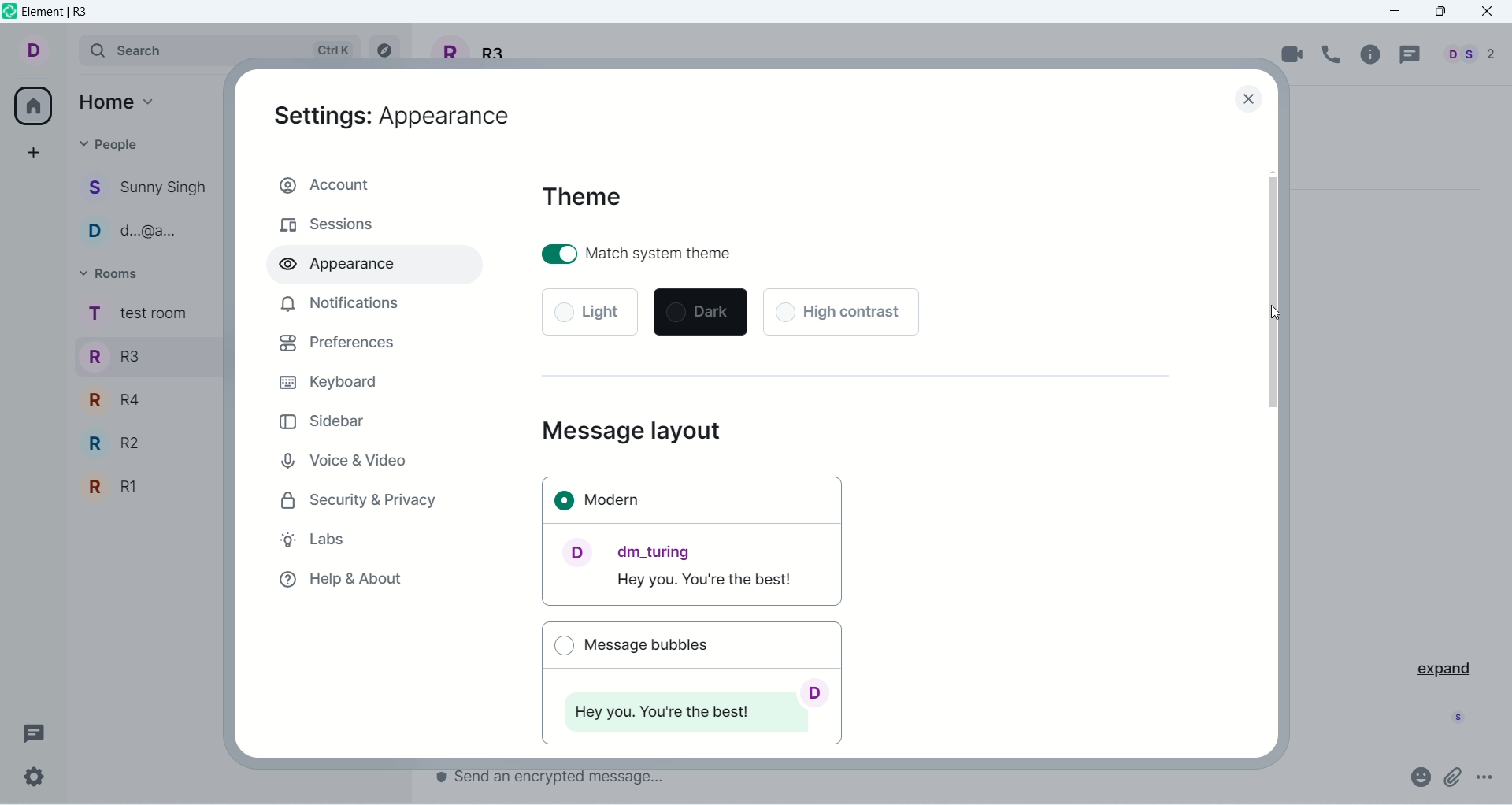  Describe the element at coordinates (1277, 459) in the screenshot. I see `vertical scroll bar` at that location.